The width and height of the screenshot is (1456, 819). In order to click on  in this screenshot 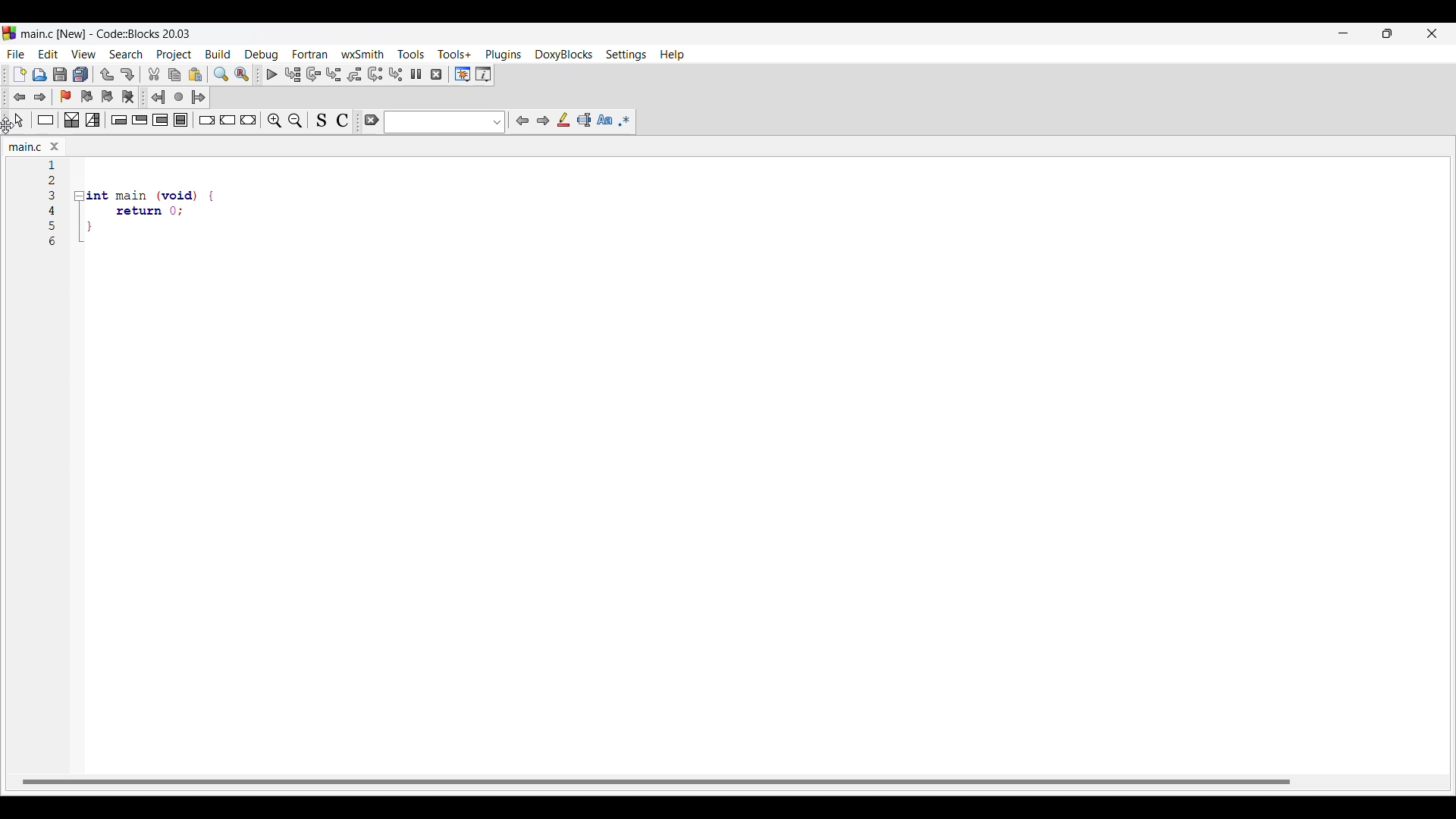, I will do `click(54, 195)`.